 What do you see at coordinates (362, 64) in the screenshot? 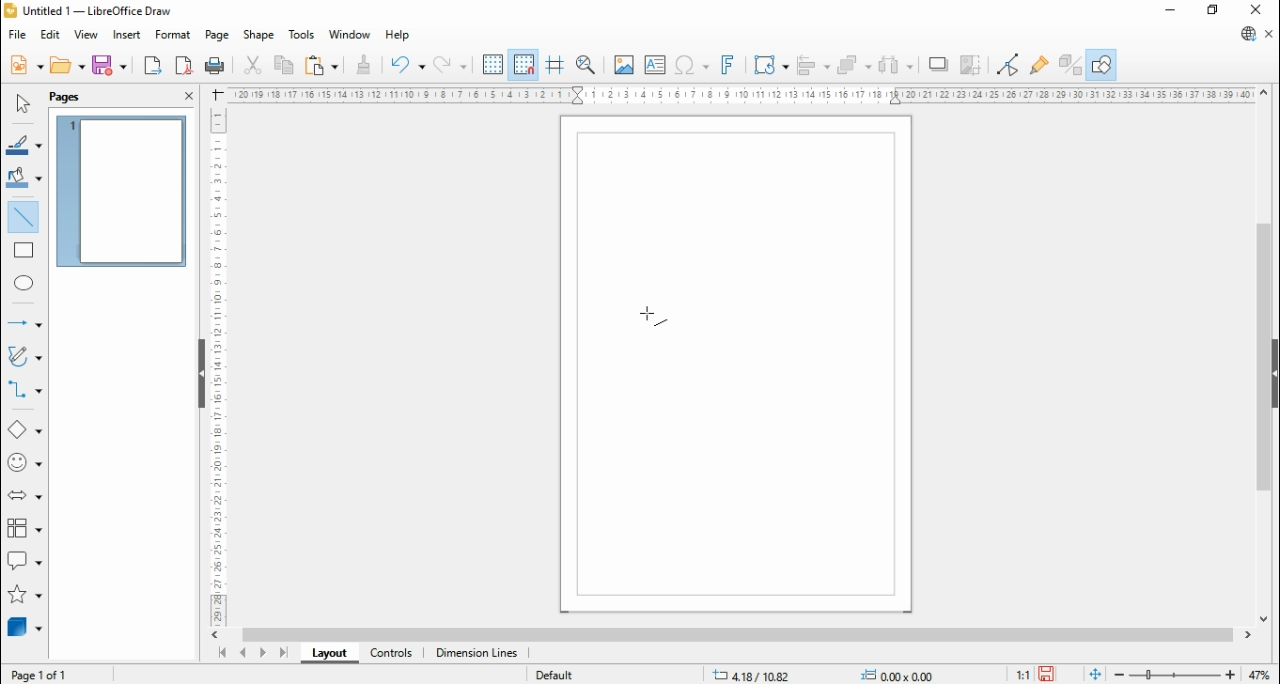
I see `clone formatting` at bounding box center [362, 64].